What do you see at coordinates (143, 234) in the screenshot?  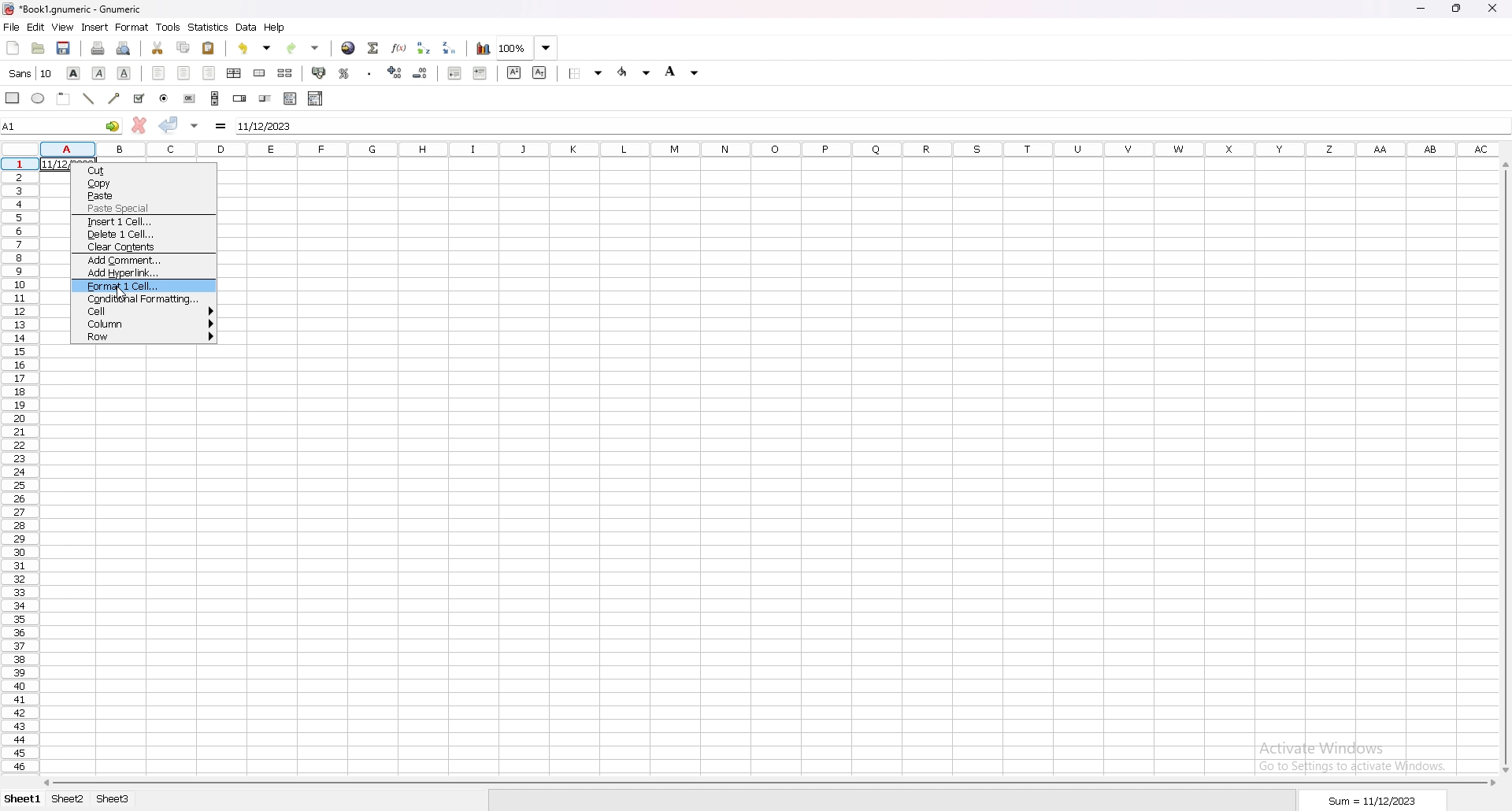 I see `delete 1 cell` at bounding box center [143, 234].